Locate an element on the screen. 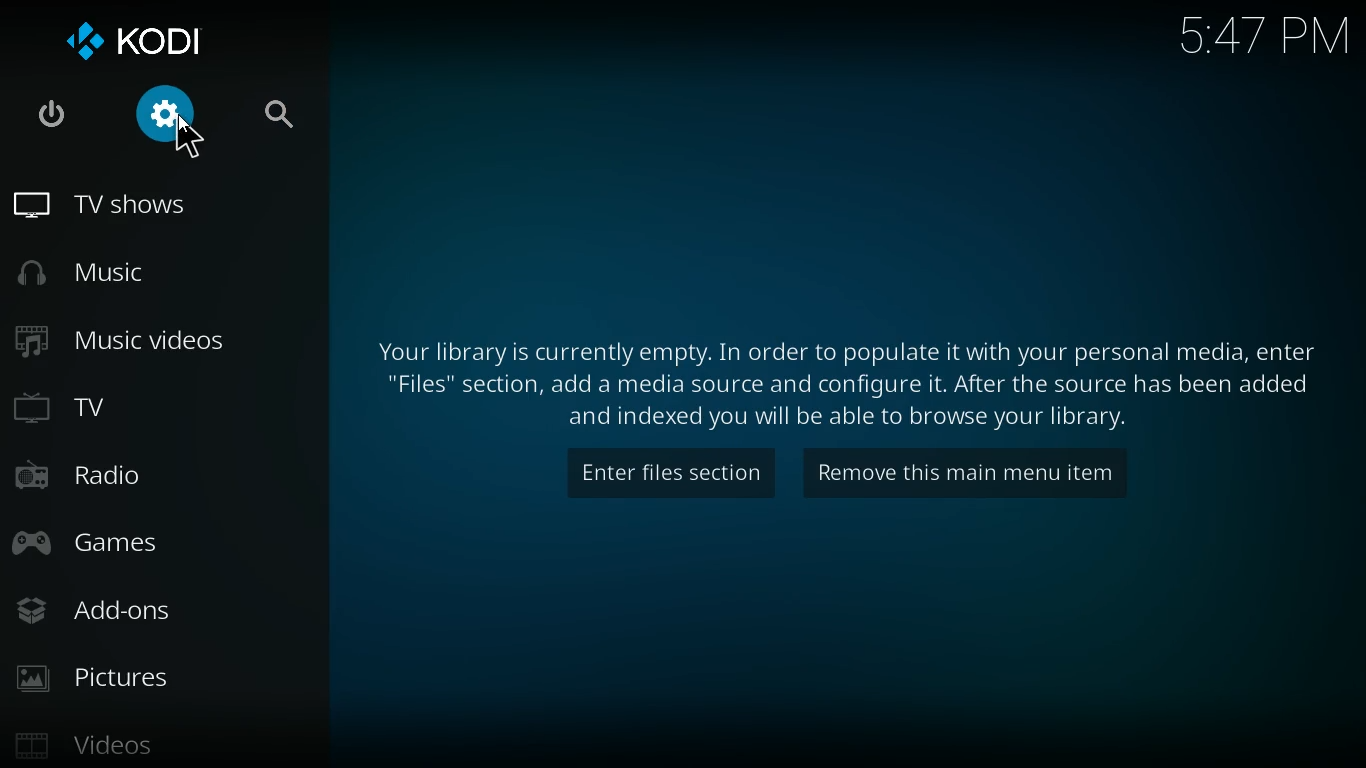  videos is located at coordinates (164, 741).